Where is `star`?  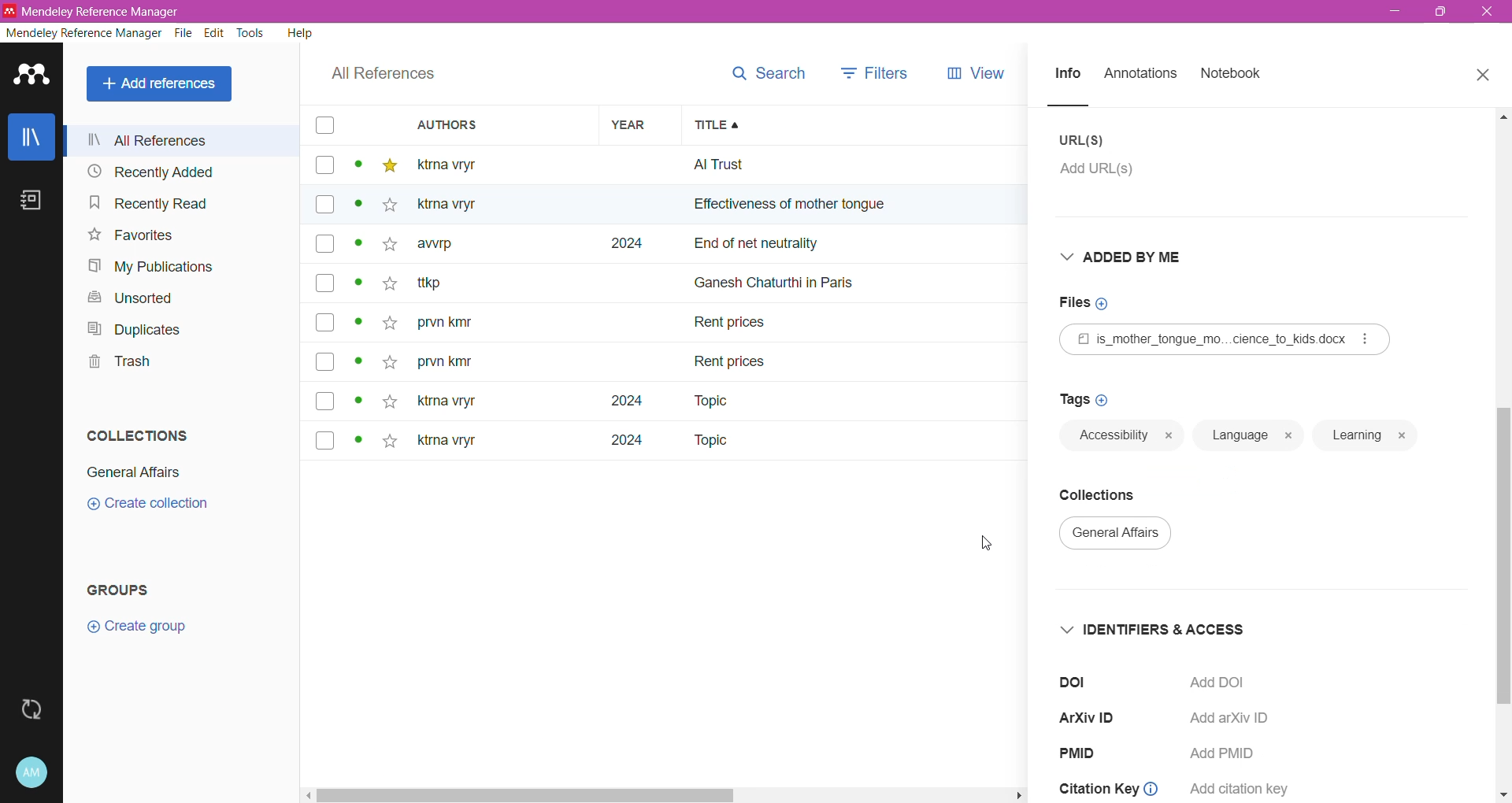
star is located at coordinates (389, 443).